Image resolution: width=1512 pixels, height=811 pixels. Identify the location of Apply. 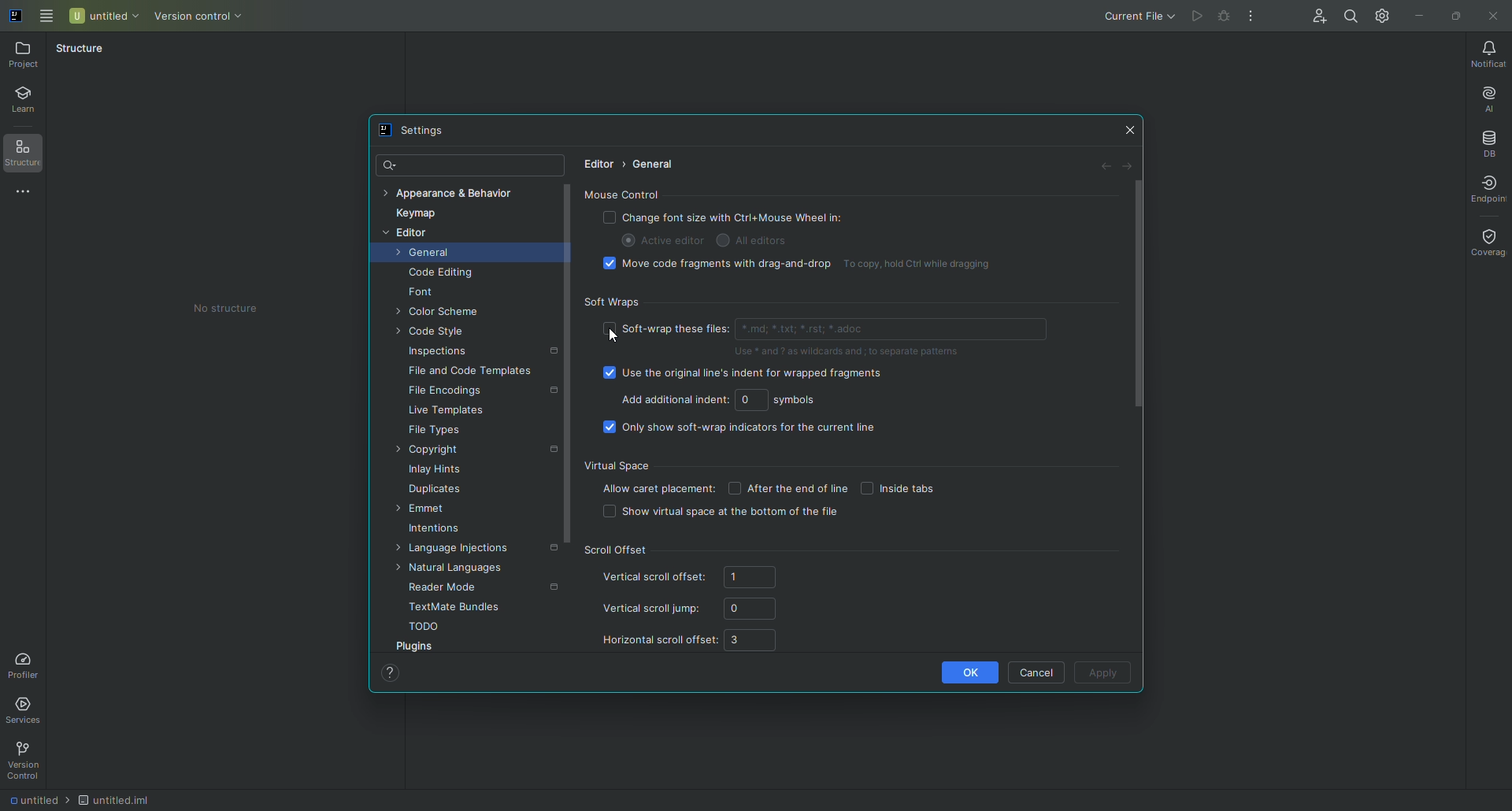
(1102, 674).